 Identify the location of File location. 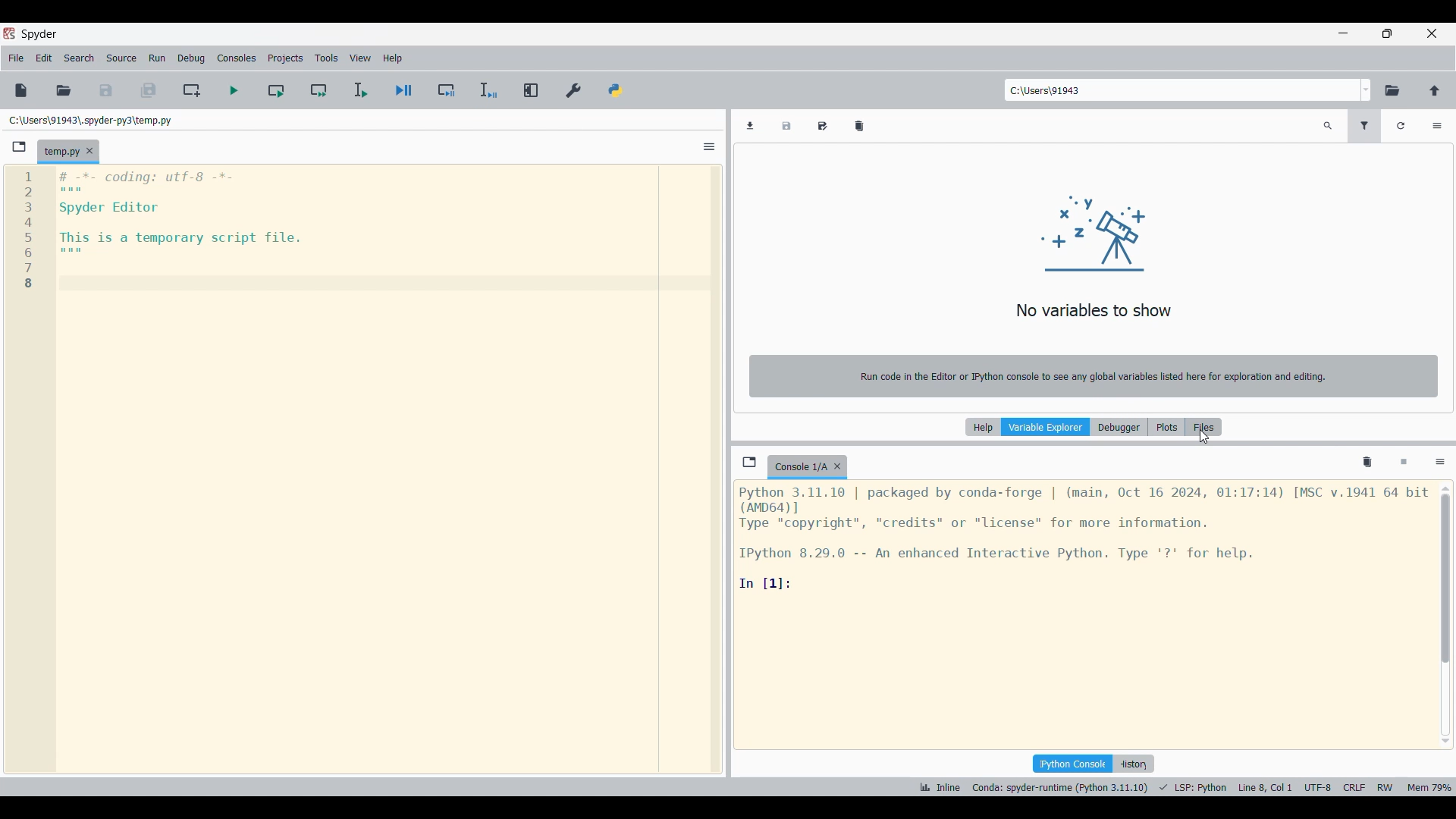
(91, 121).